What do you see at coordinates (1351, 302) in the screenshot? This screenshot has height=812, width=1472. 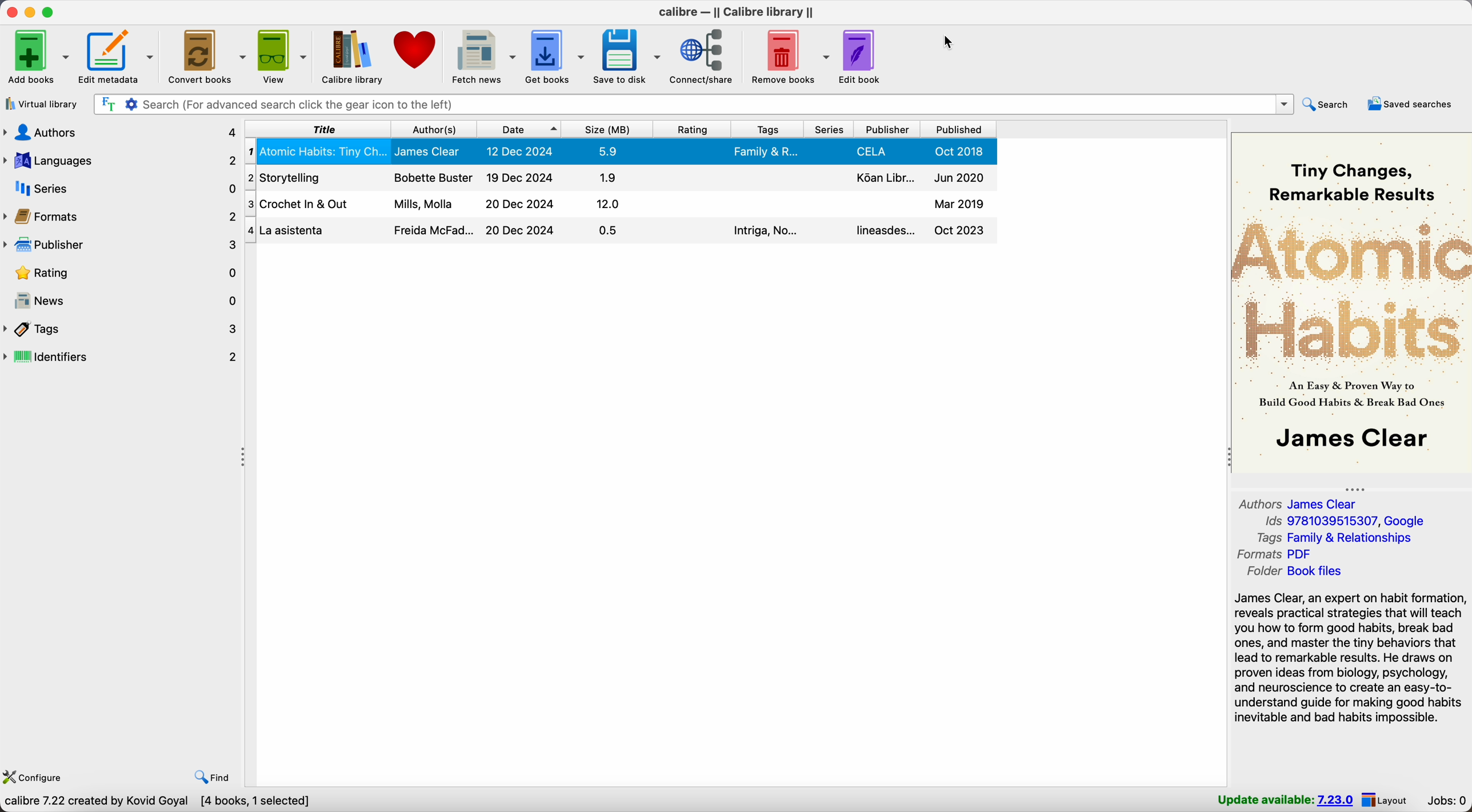 I see `book cover preview` at bounding box center [1351, 302].